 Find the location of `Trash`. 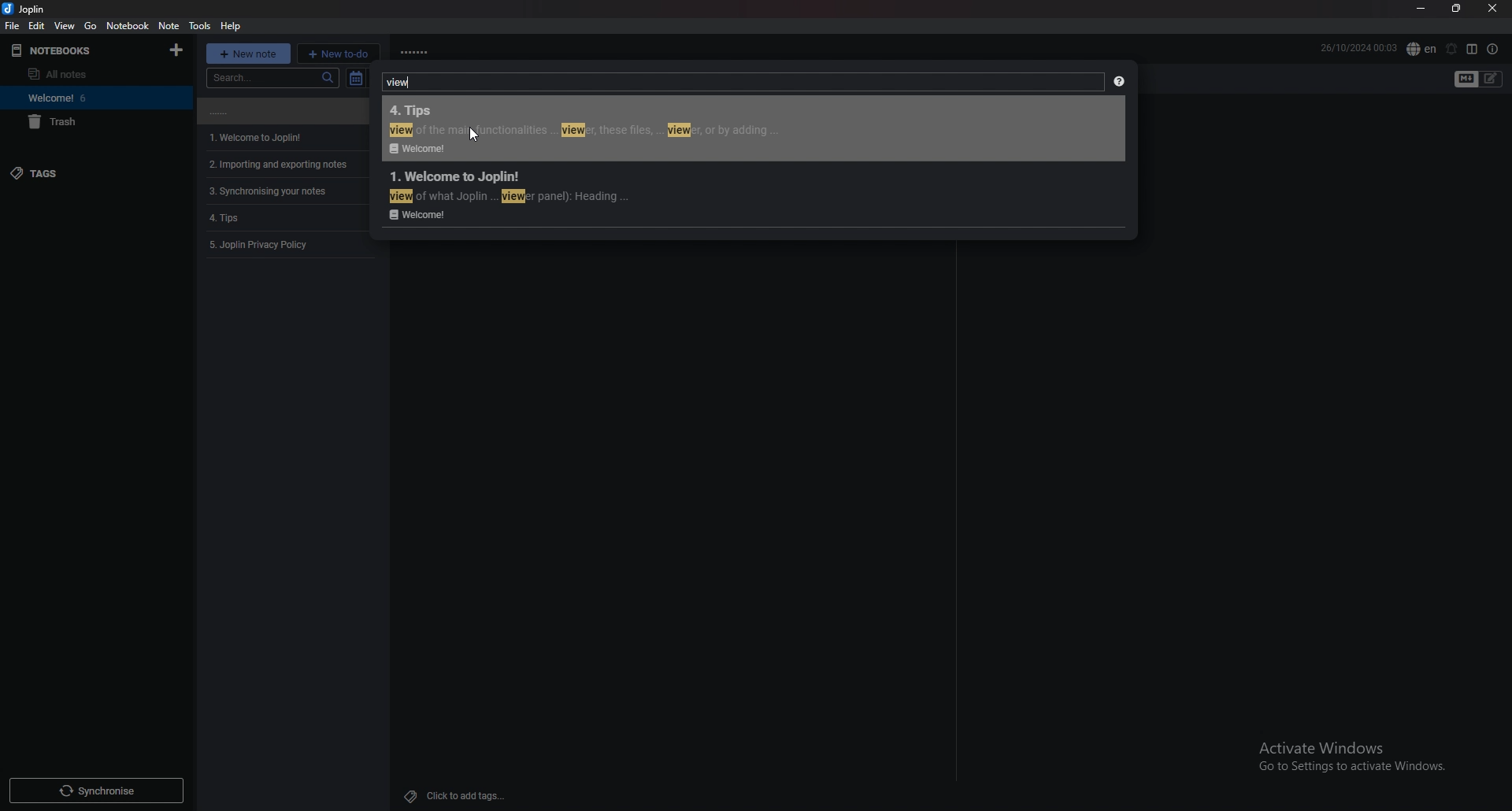

Trash is located at coordinates (54, 122).